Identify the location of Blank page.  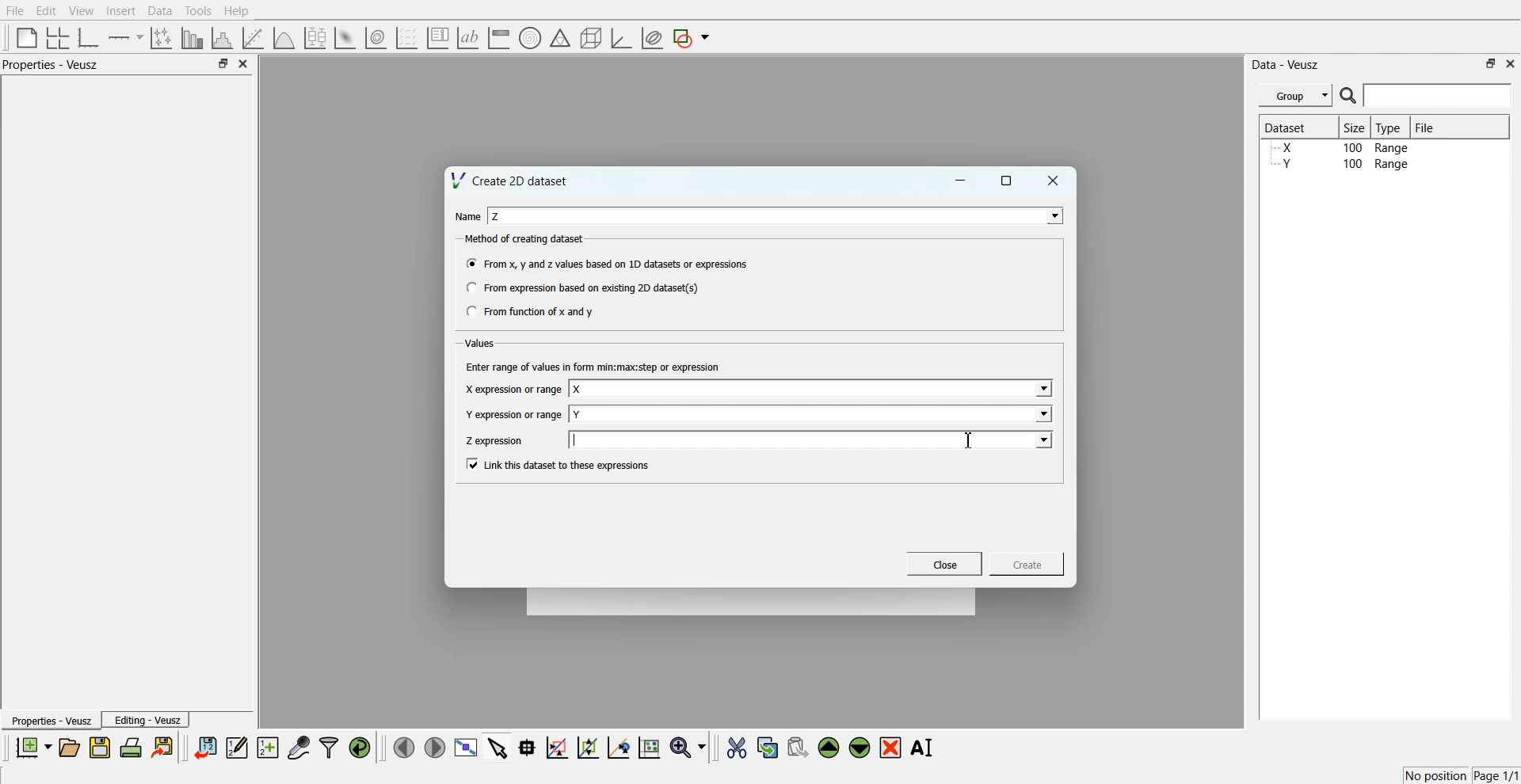
(27, 37).